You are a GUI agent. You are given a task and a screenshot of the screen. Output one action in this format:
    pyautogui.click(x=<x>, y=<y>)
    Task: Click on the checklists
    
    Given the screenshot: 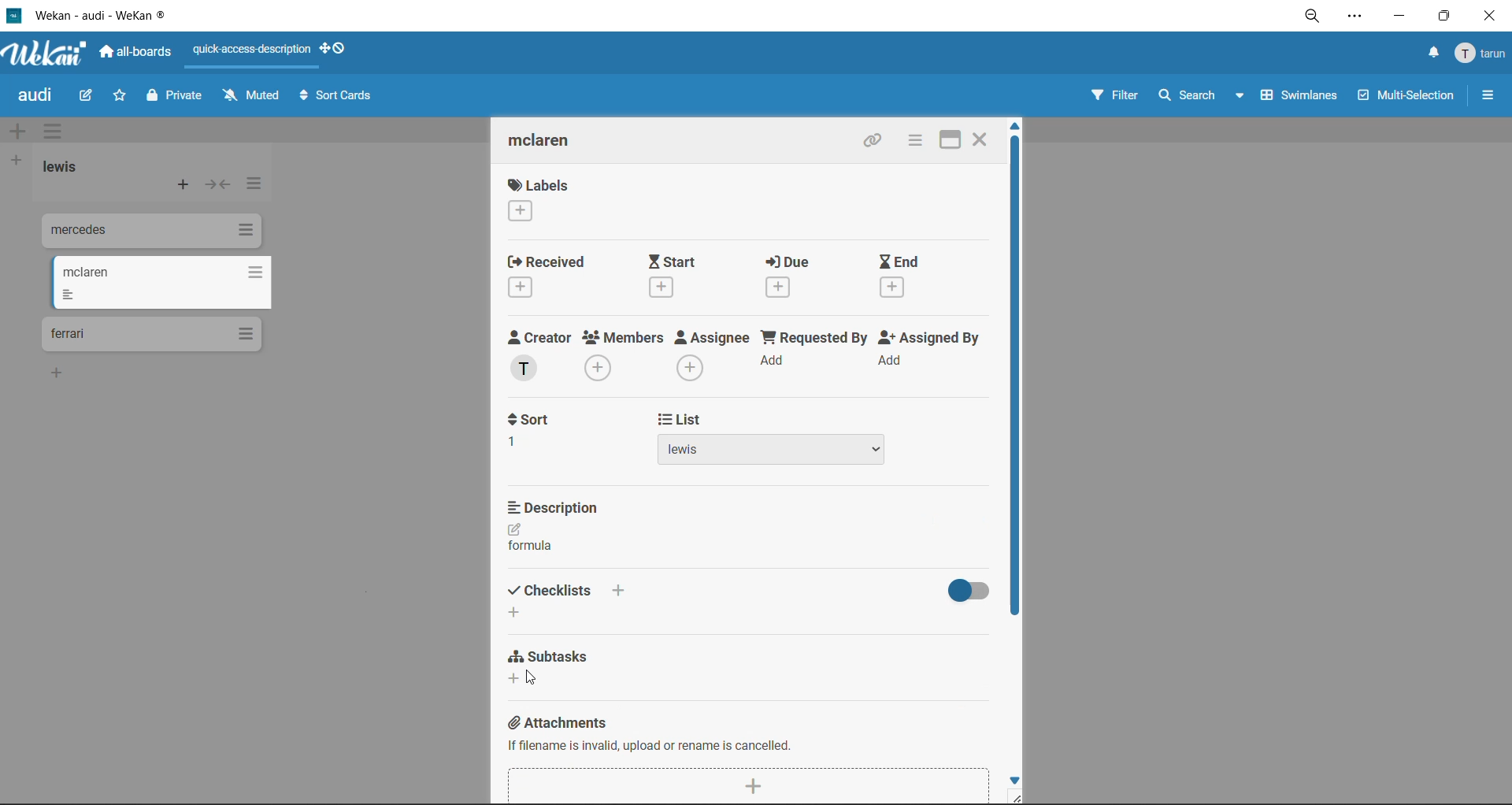 What is the action you would take?
    pyautogui.click(x=568, y=598)
    